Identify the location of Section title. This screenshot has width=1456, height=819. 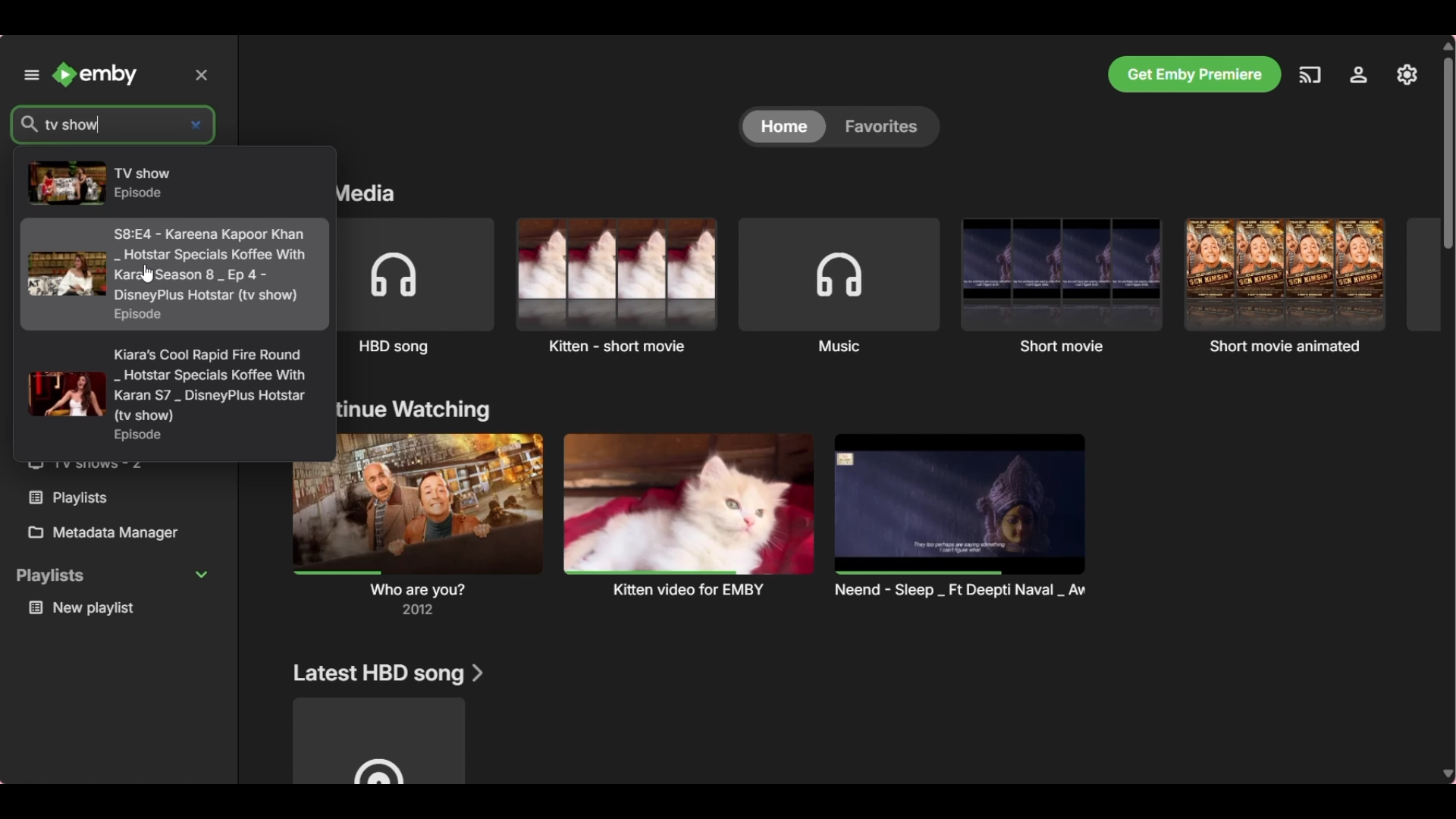
(388, 674).